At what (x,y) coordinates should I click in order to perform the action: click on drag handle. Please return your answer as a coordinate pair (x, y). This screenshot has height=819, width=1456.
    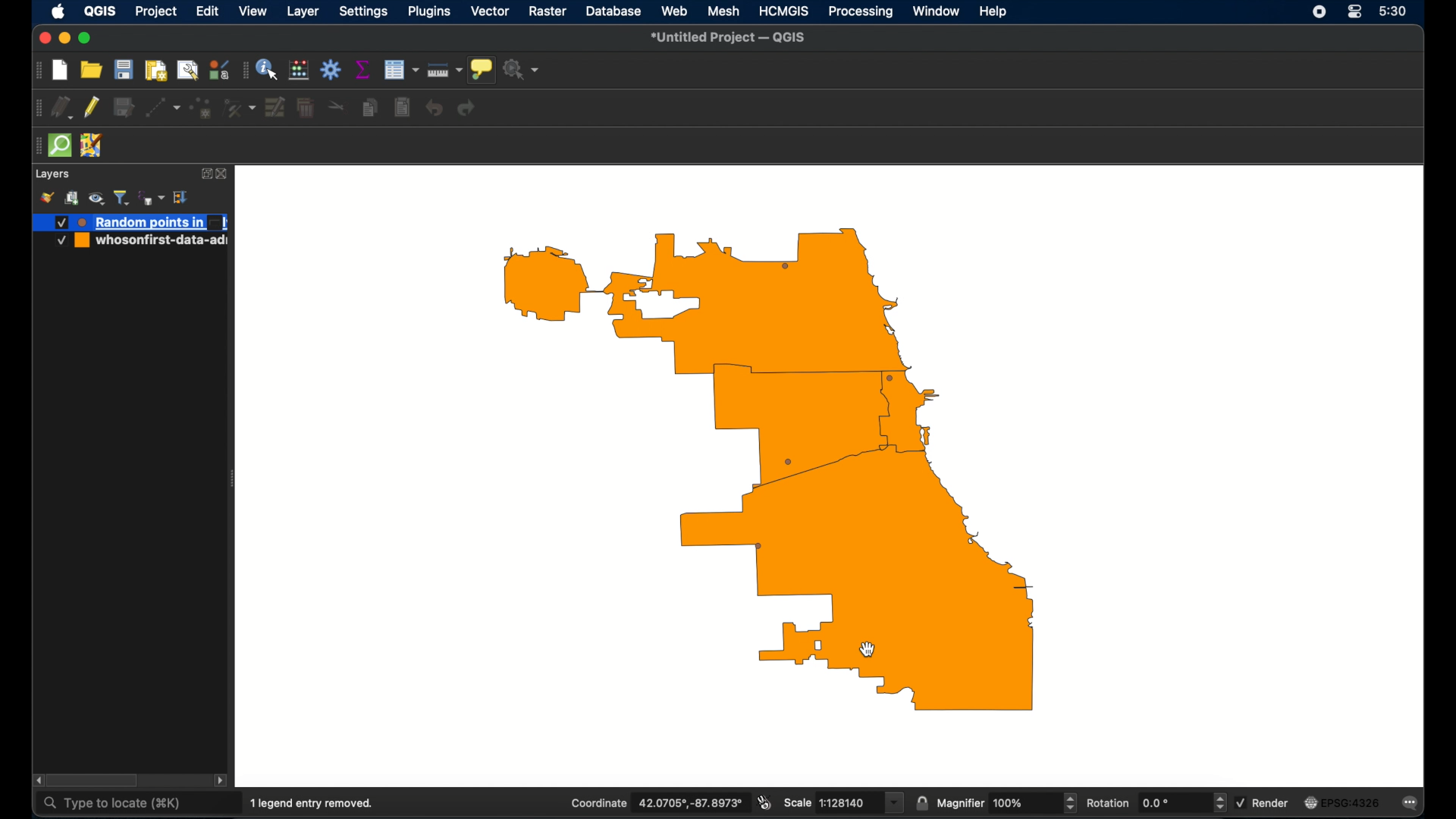
    Looking at the image, I should click on (37, 70).